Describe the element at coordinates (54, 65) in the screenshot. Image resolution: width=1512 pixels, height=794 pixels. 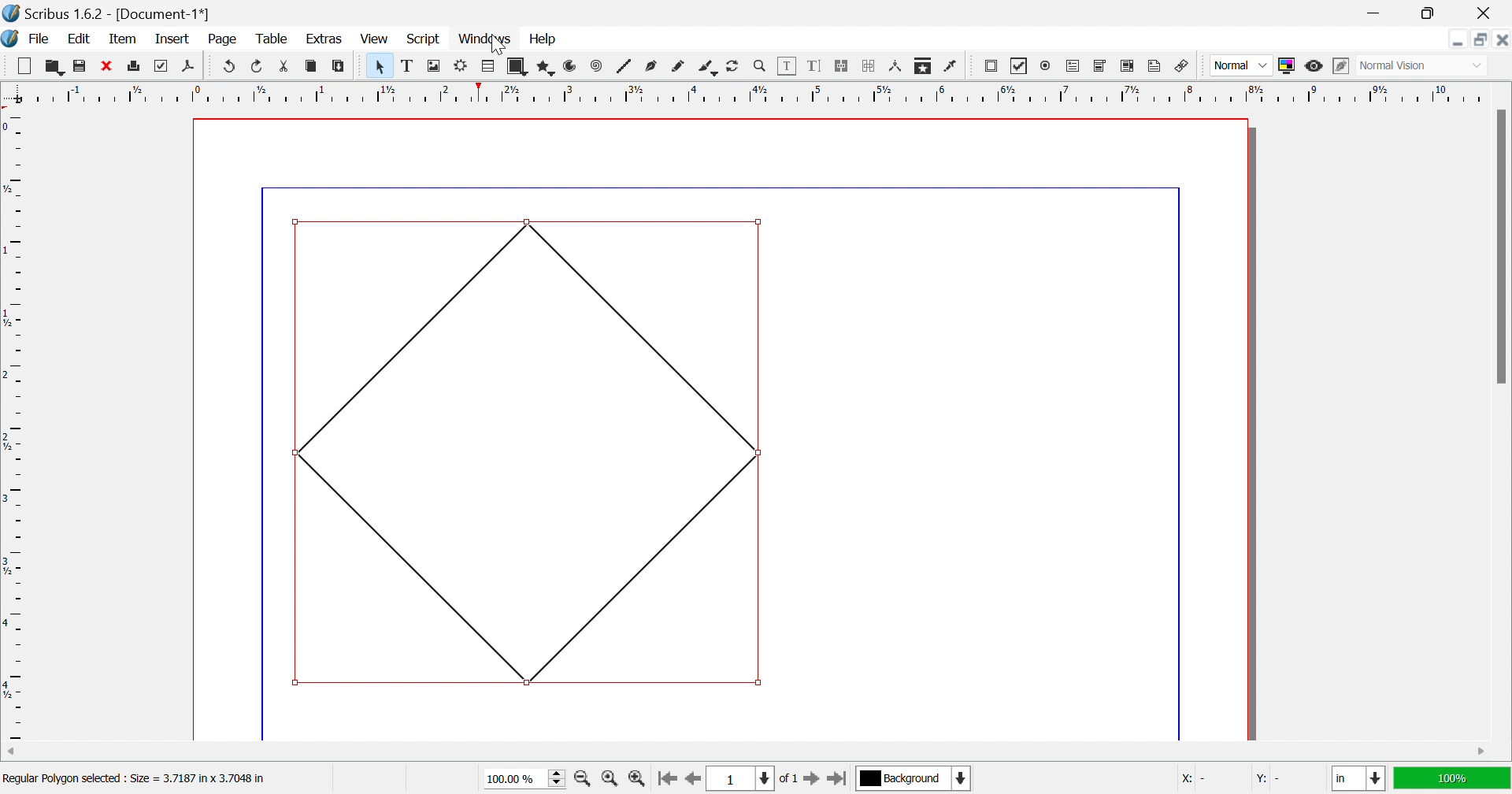
I see `Open` at that location.